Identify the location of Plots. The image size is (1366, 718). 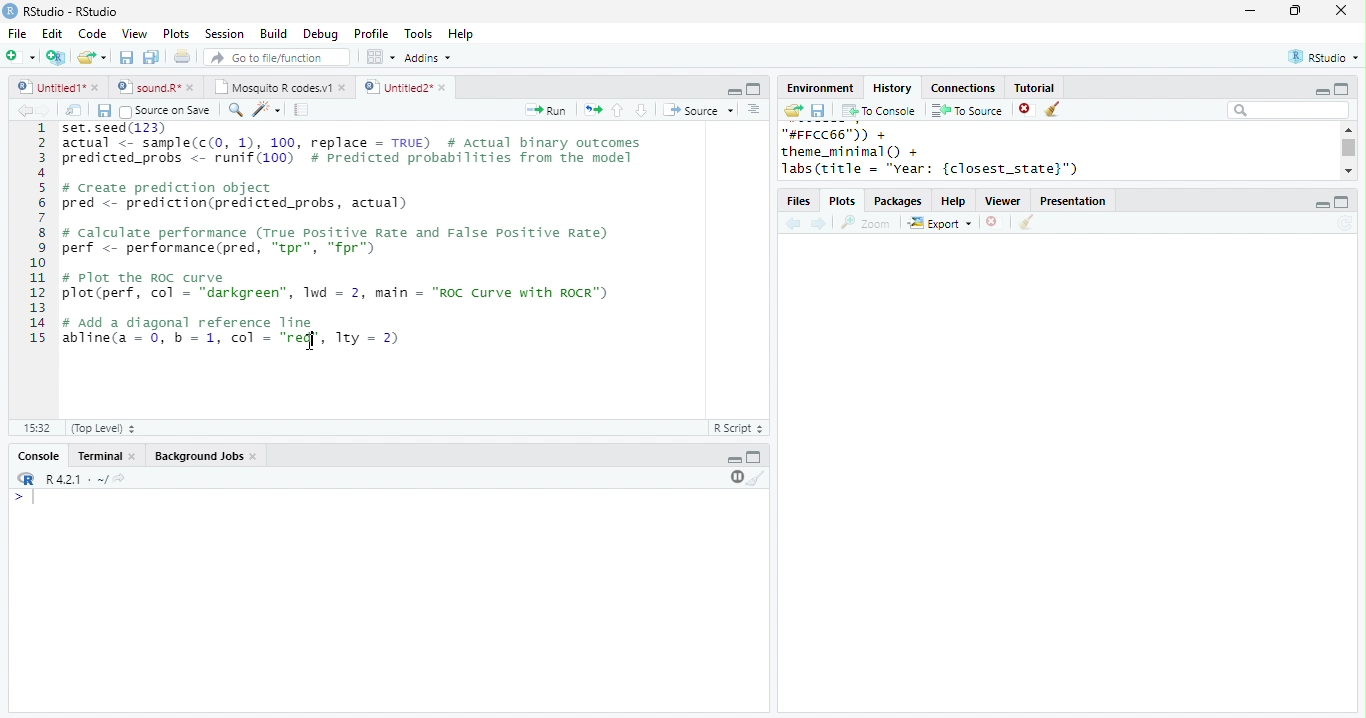
(844, 202).